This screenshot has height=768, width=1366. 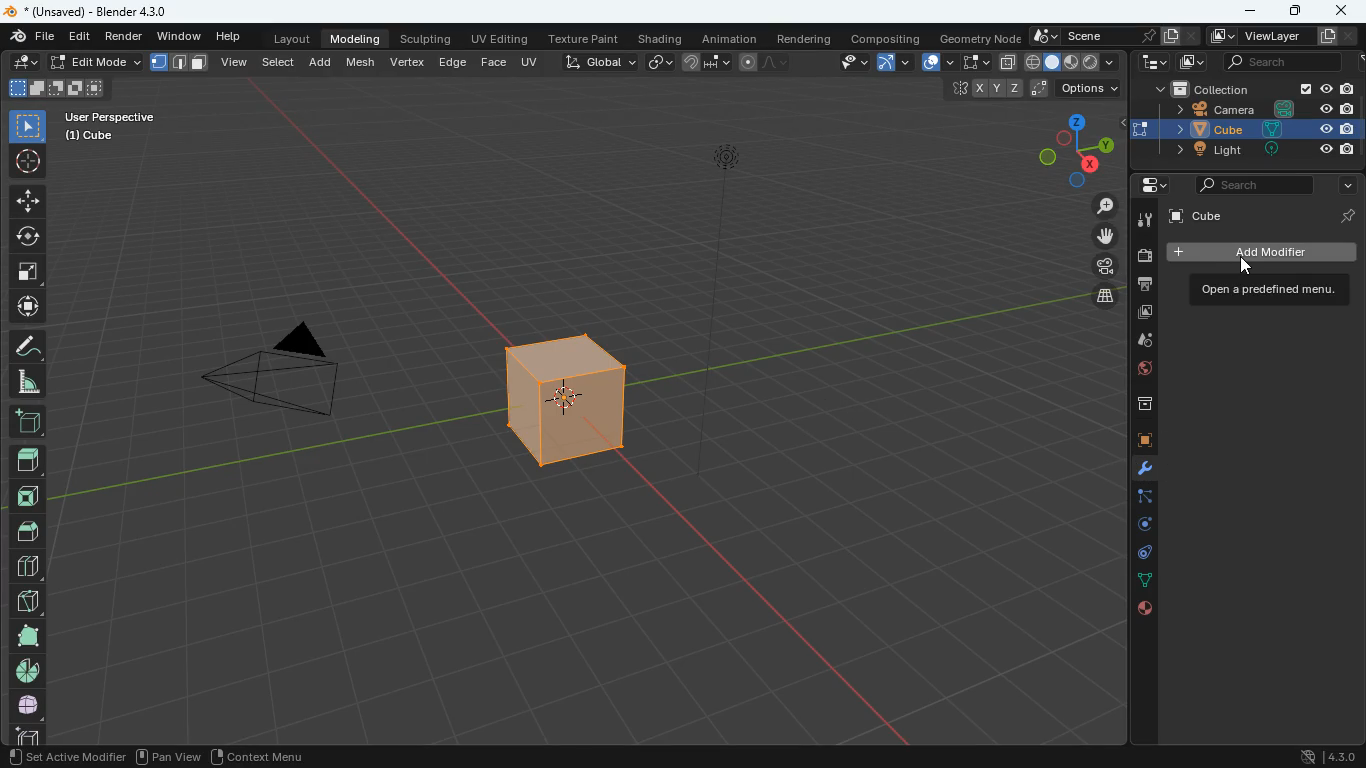 What do you see at coordinates (27, 597) in the screenshot?
I see `diagonal` at bounding box center [27, 597].